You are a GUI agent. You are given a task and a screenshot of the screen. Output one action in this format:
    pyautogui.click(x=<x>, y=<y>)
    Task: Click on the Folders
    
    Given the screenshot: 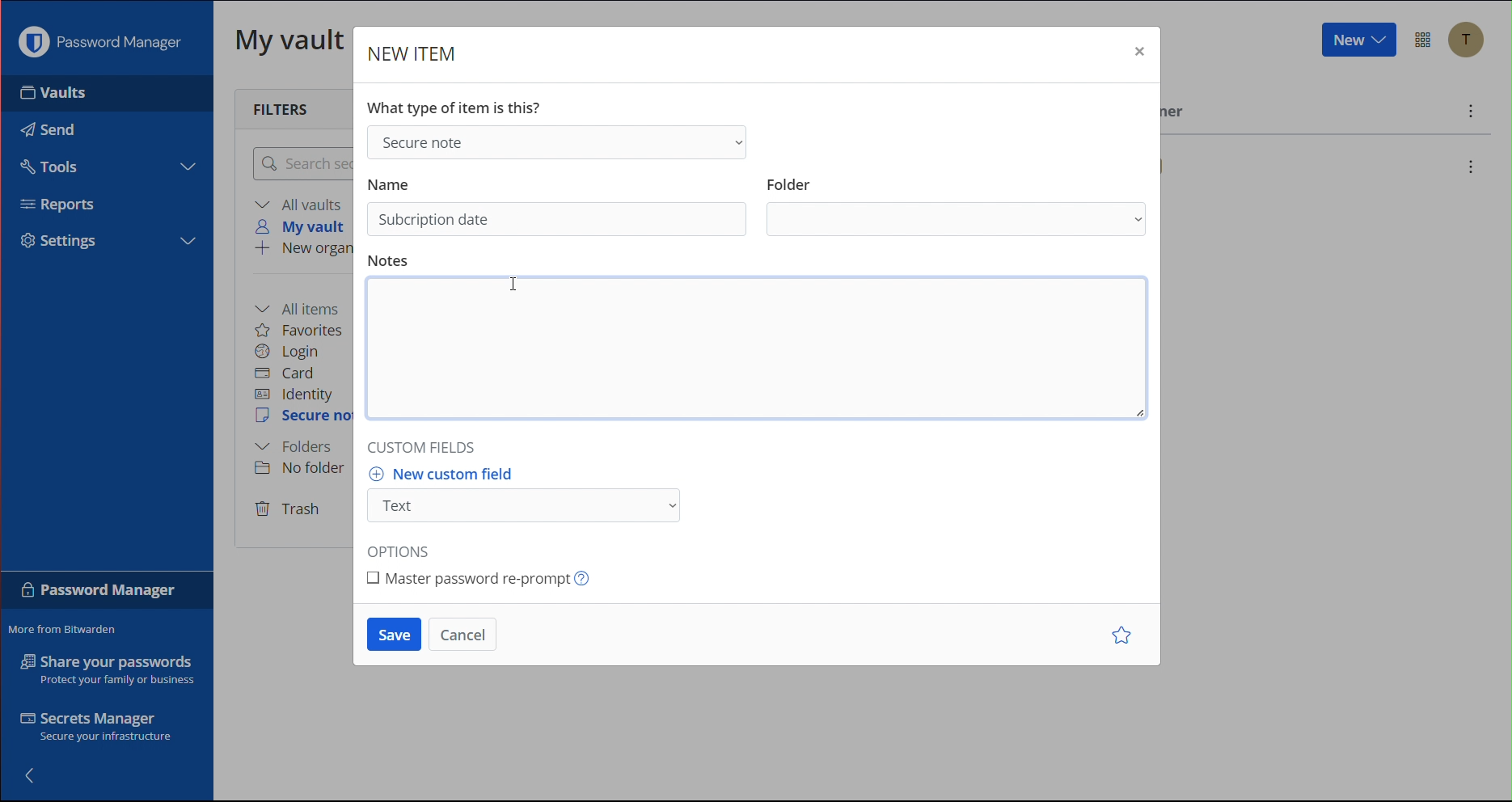 What is the action you would take?
    pyautogui.click(x=294, y=447)
    